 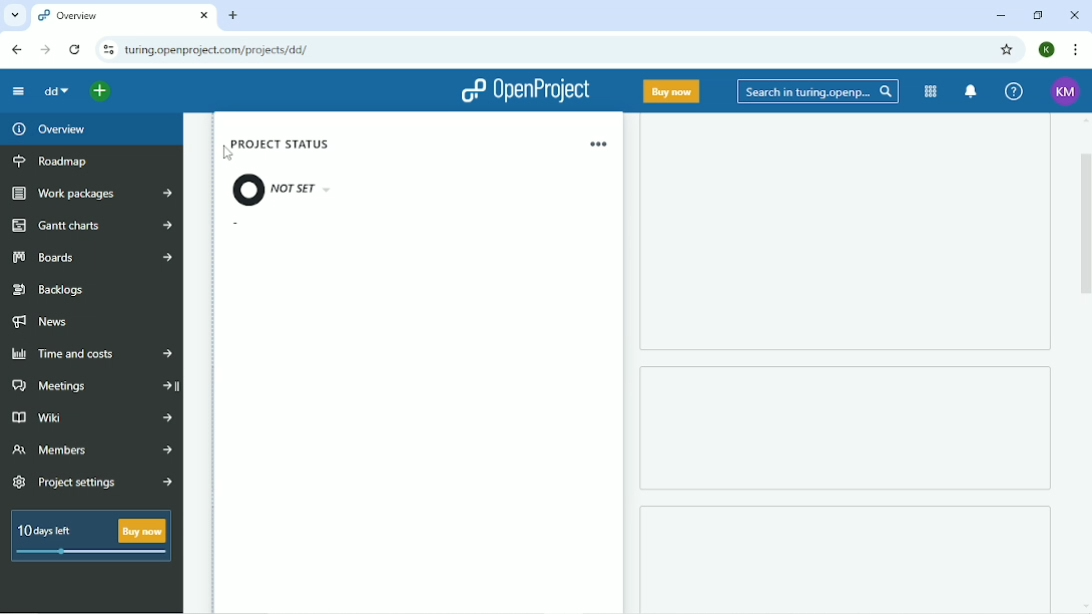 I want to click on Project settings, so click(x=92, y=482).